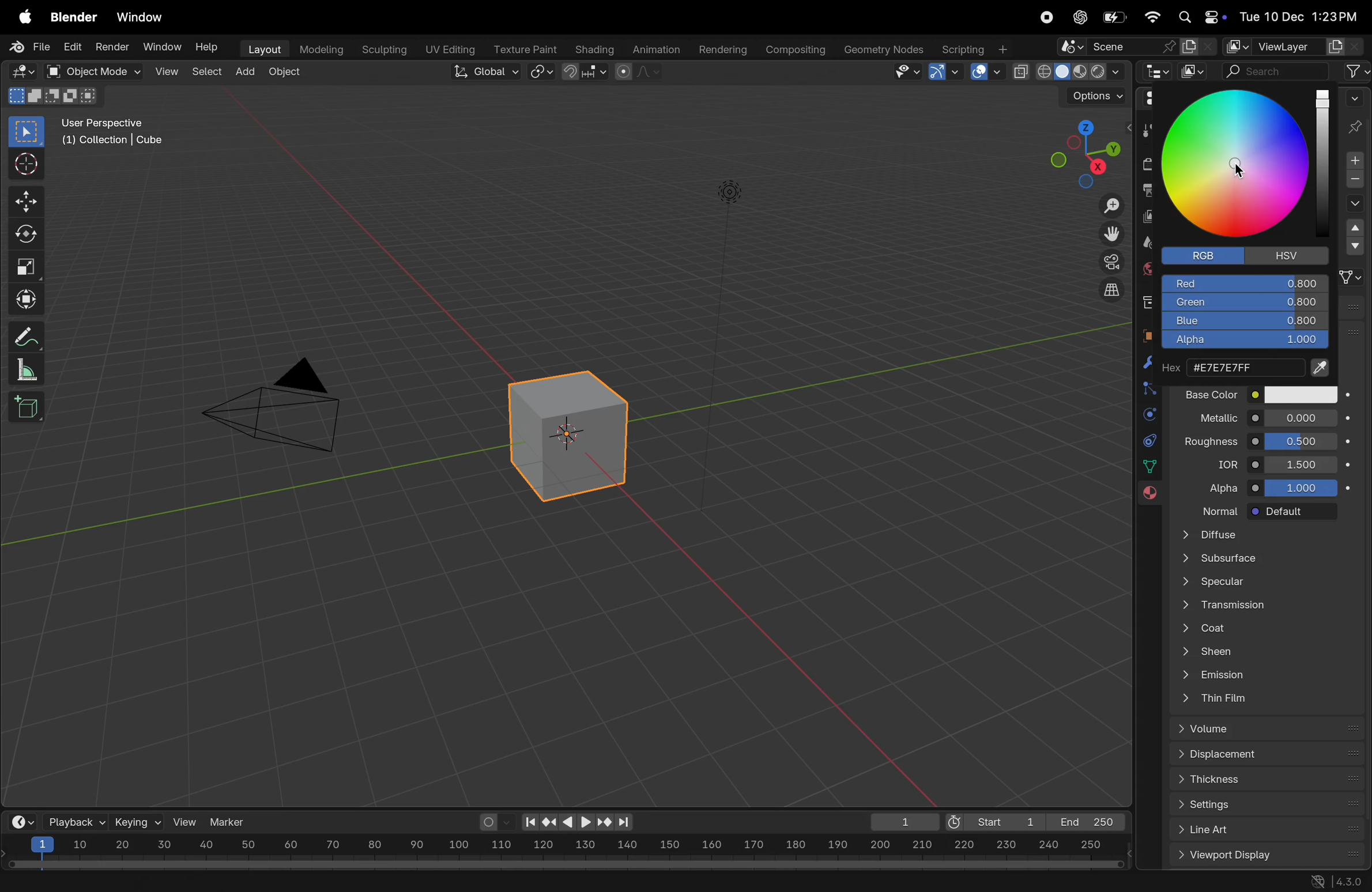 The height and width of the screenshot is (892, 1372). What do you see at coordinates (1148, 415) in the screenshot?
I see `physics` at bounding box center [1148, 415].